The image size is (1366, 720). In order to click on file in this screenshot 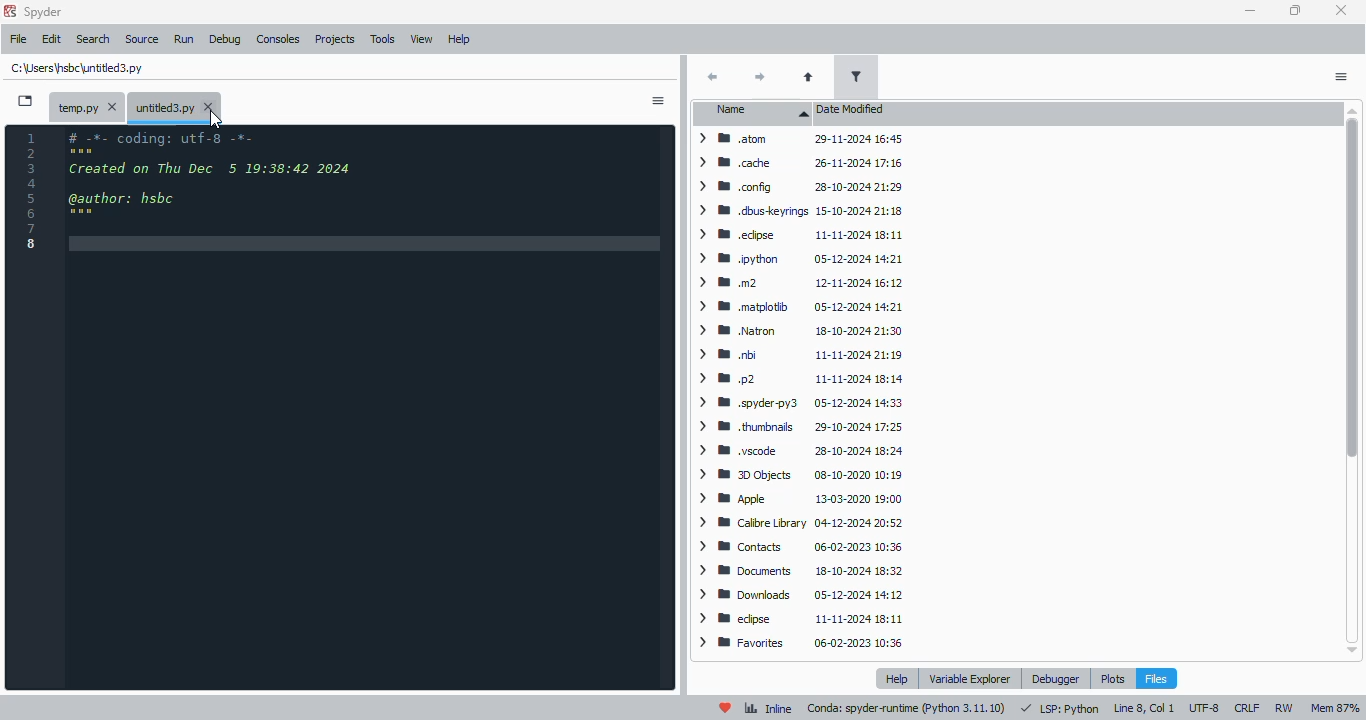, I will do `click(19, 39)`.